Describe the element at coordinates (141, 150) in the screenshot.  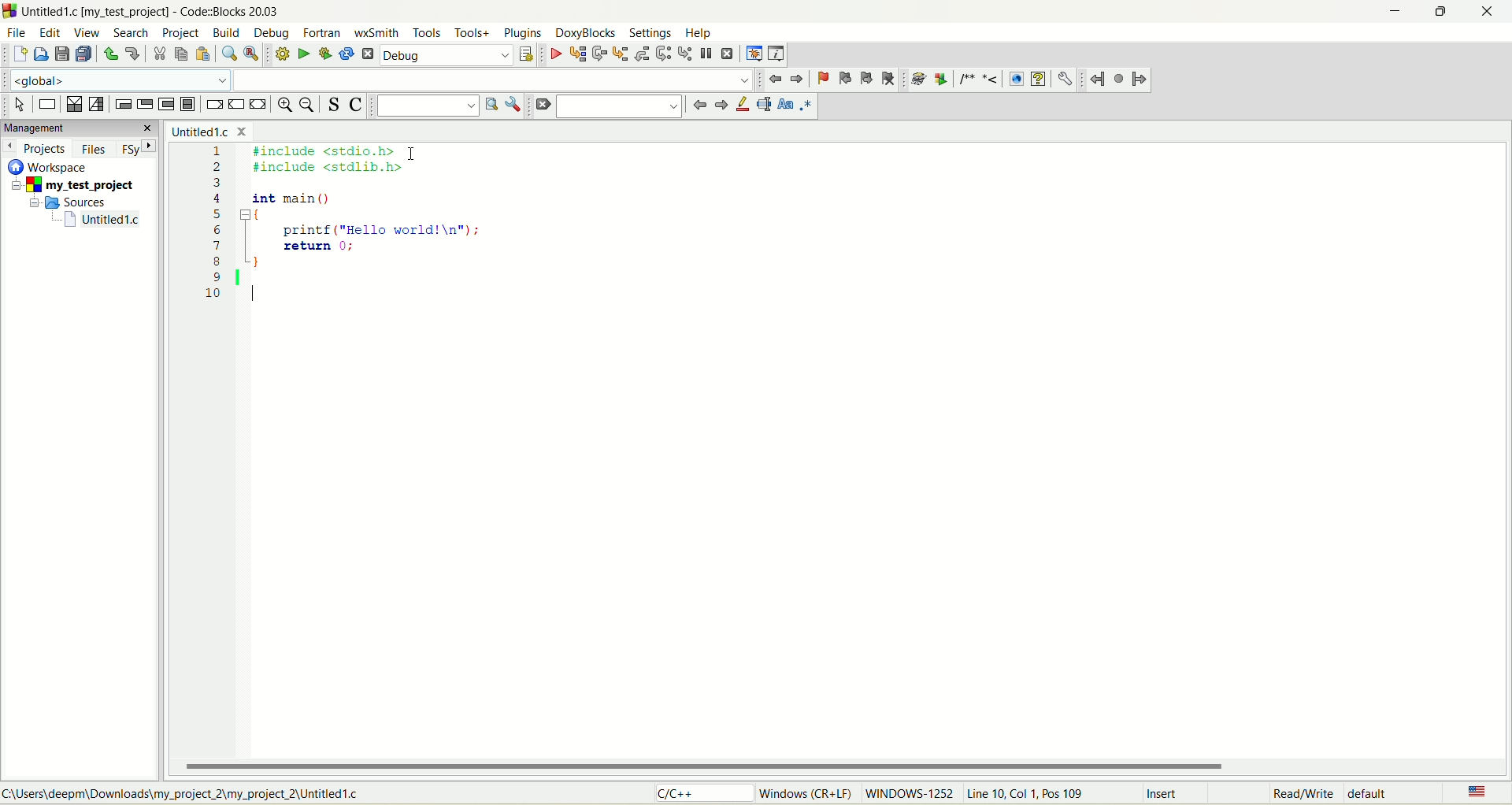
I see `Fsy` at that location.